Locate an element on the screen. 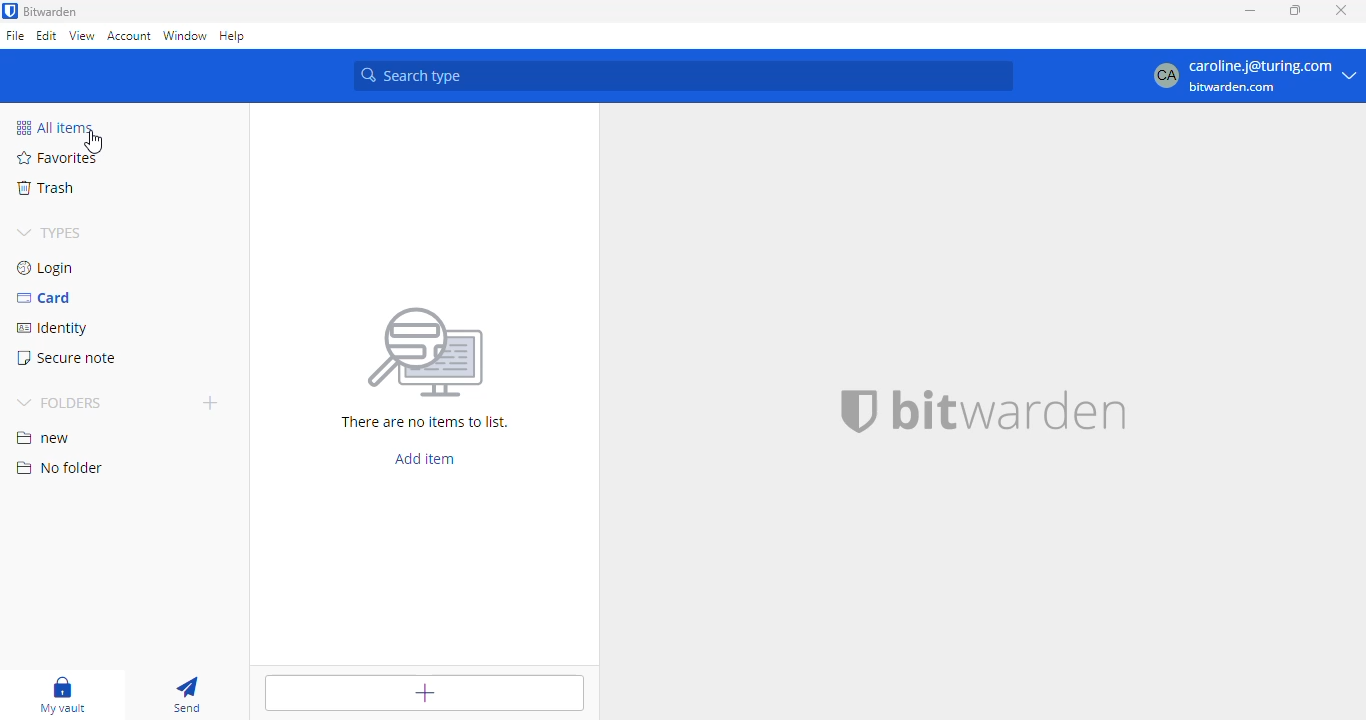 Image resolution: width=1366 pixels, height=720 pixels. help is located at coordinates (231, 37).